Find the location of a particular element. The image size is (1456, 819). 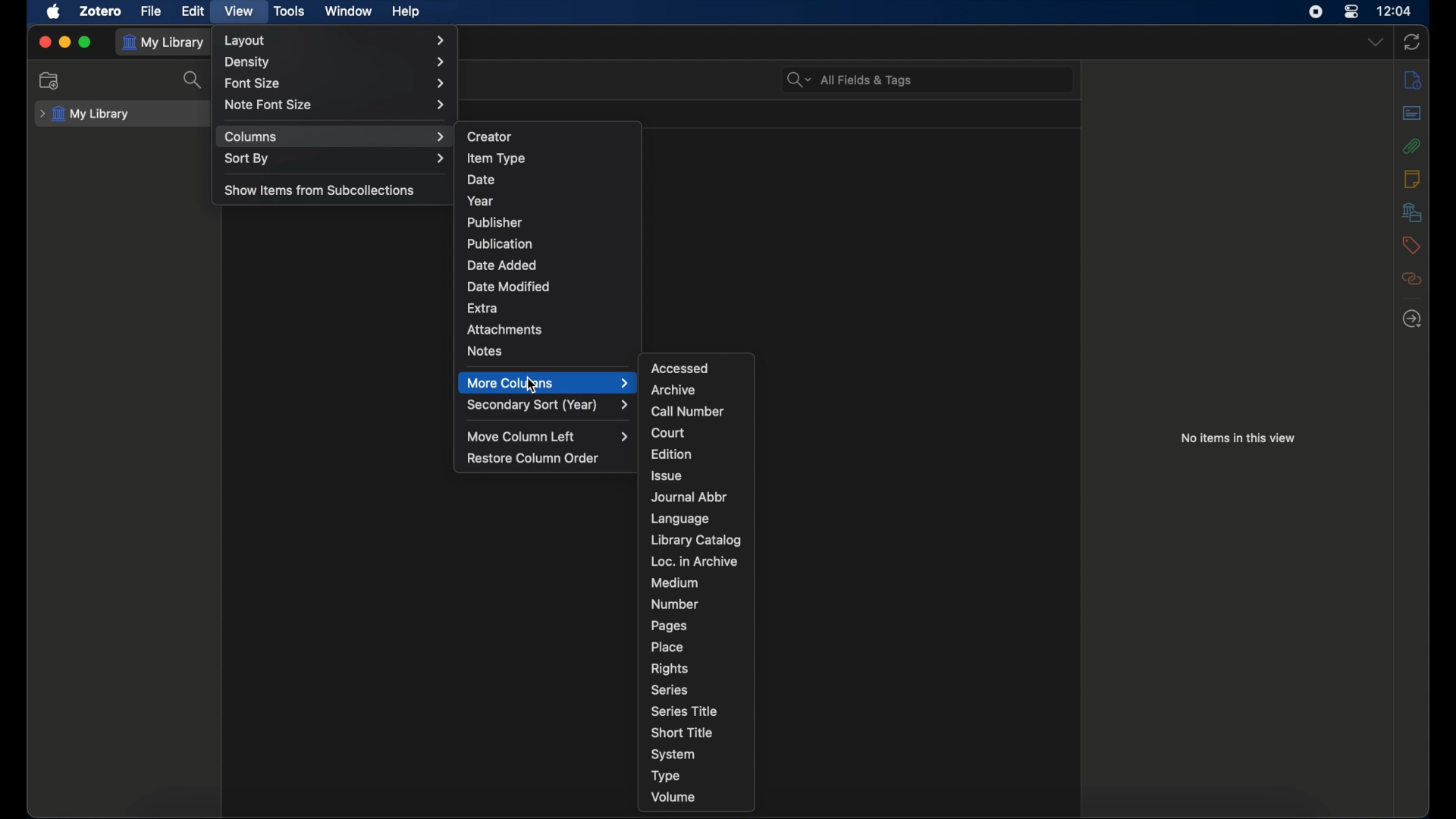

call number is located at coordinates (687, 412).